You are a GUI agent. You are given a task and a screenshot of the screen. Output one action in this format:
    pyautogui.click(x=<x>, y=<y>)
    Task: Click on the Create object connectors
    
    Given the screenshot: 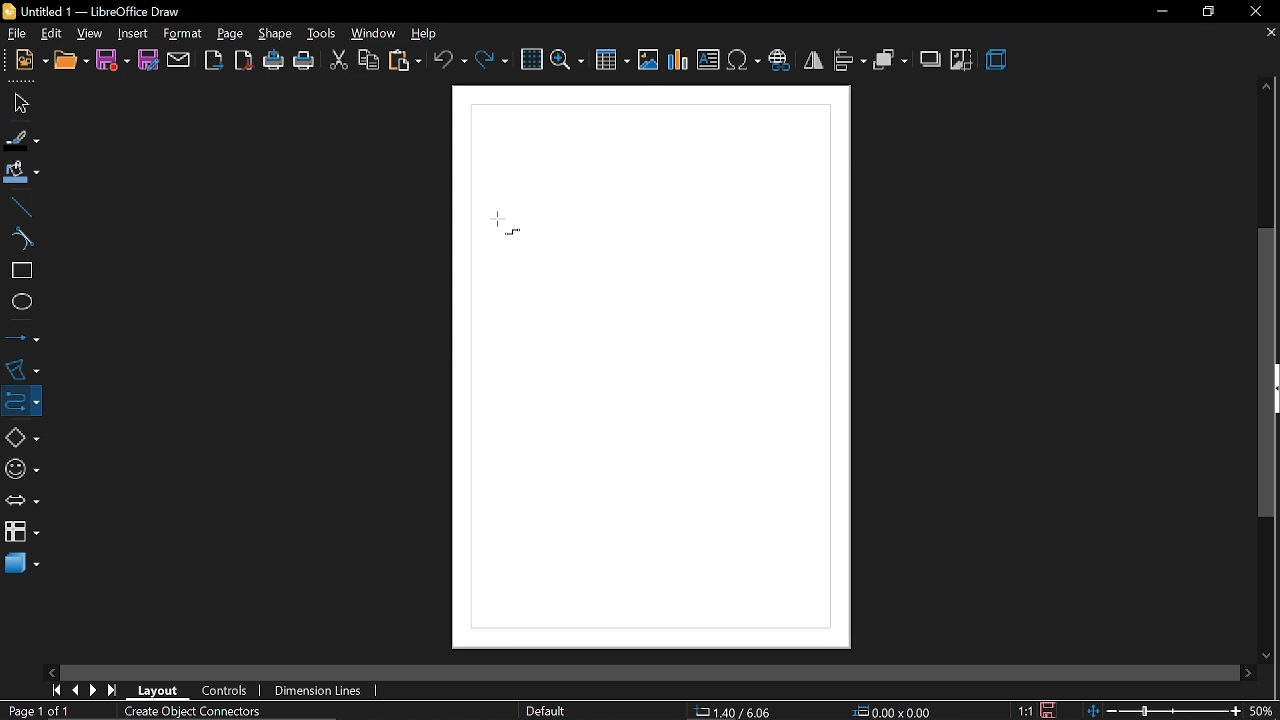 What is the action you would take?
    pyautogui.click(x=188, y=710)
    